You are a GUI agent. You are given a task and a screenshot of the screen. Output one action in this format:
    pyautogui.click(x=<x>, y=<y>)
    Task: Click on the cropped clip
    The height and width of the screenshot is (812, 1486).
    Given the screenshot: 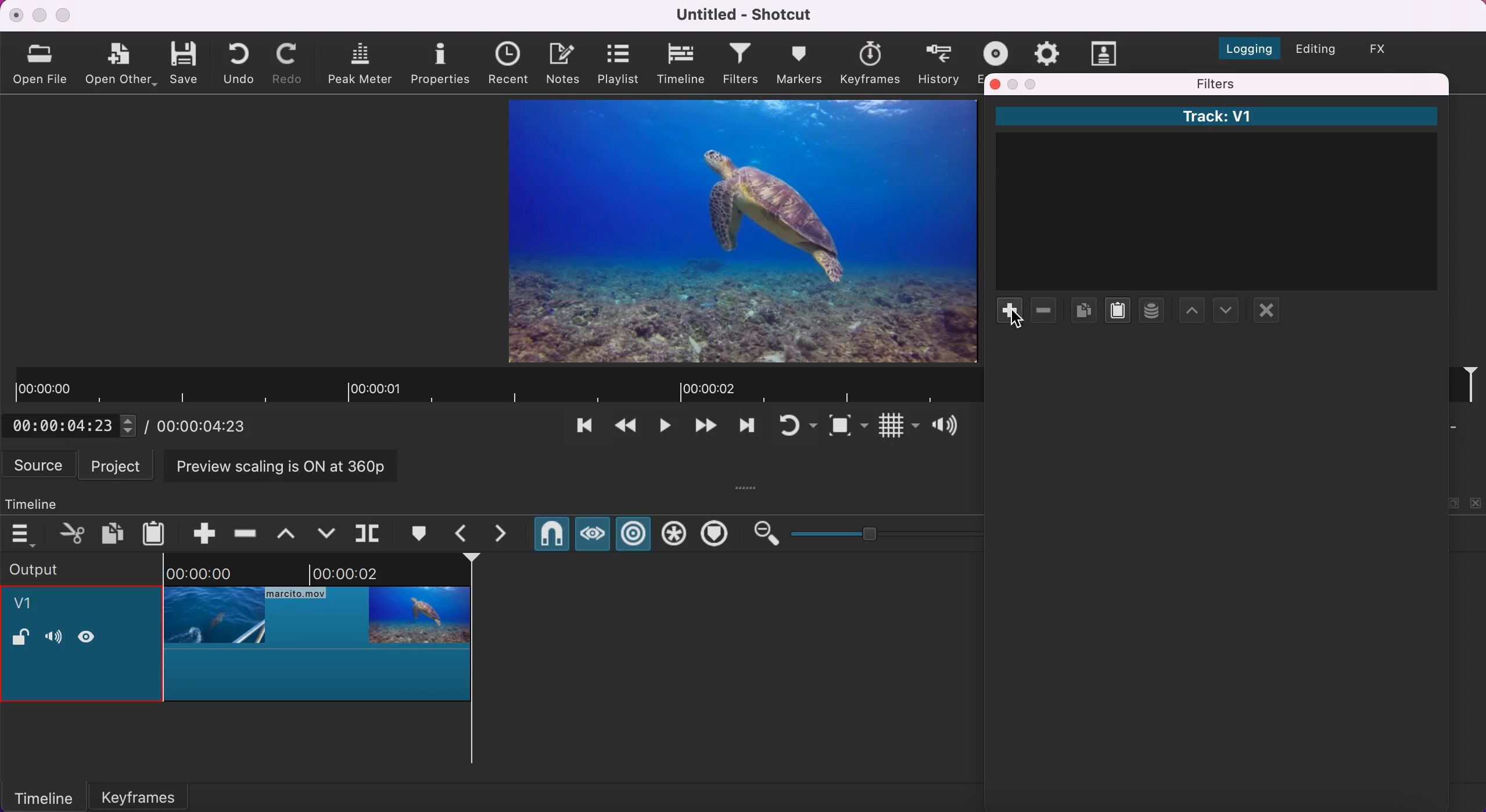 What is the action you would take?
    pyautogui.click(x=317, y=635)
    